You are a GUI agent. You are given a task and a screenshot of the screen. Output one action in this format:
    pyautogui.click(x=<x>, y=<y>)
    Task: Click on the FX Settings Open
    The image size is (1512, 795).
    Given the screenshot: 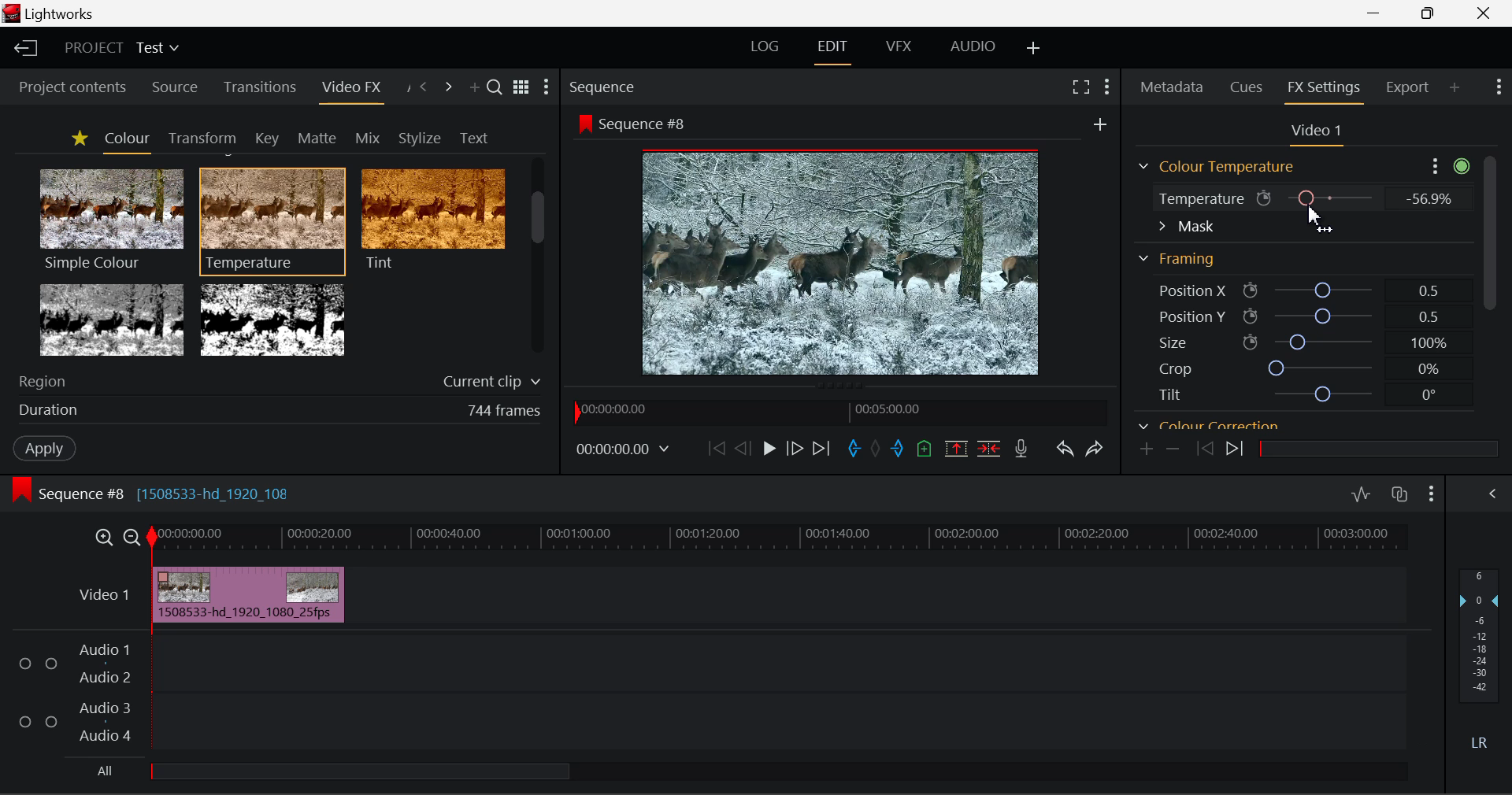 What is the action you would take?
    pyautogui.click(x=1325, y=89)
    